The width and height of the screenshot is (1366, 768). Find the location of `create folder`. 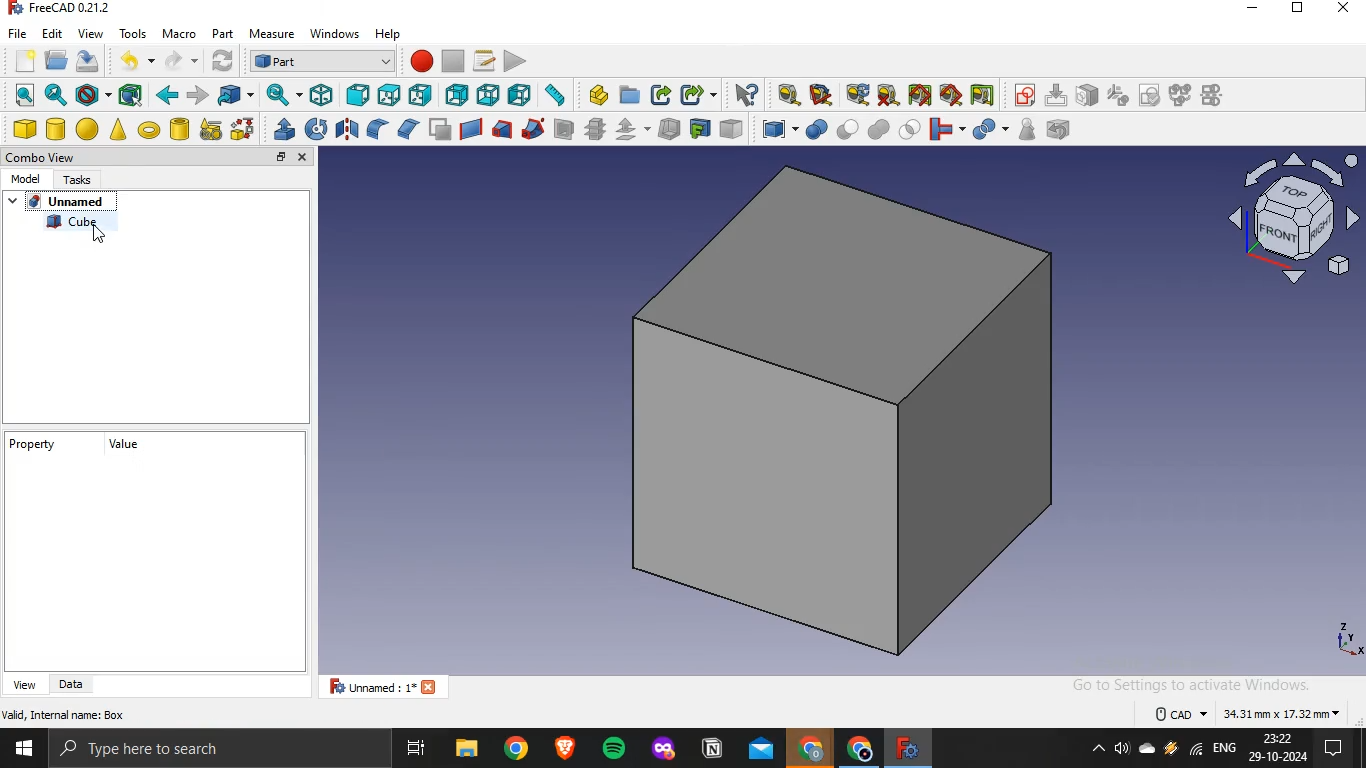

create folder is located at coordinates (631, 94).